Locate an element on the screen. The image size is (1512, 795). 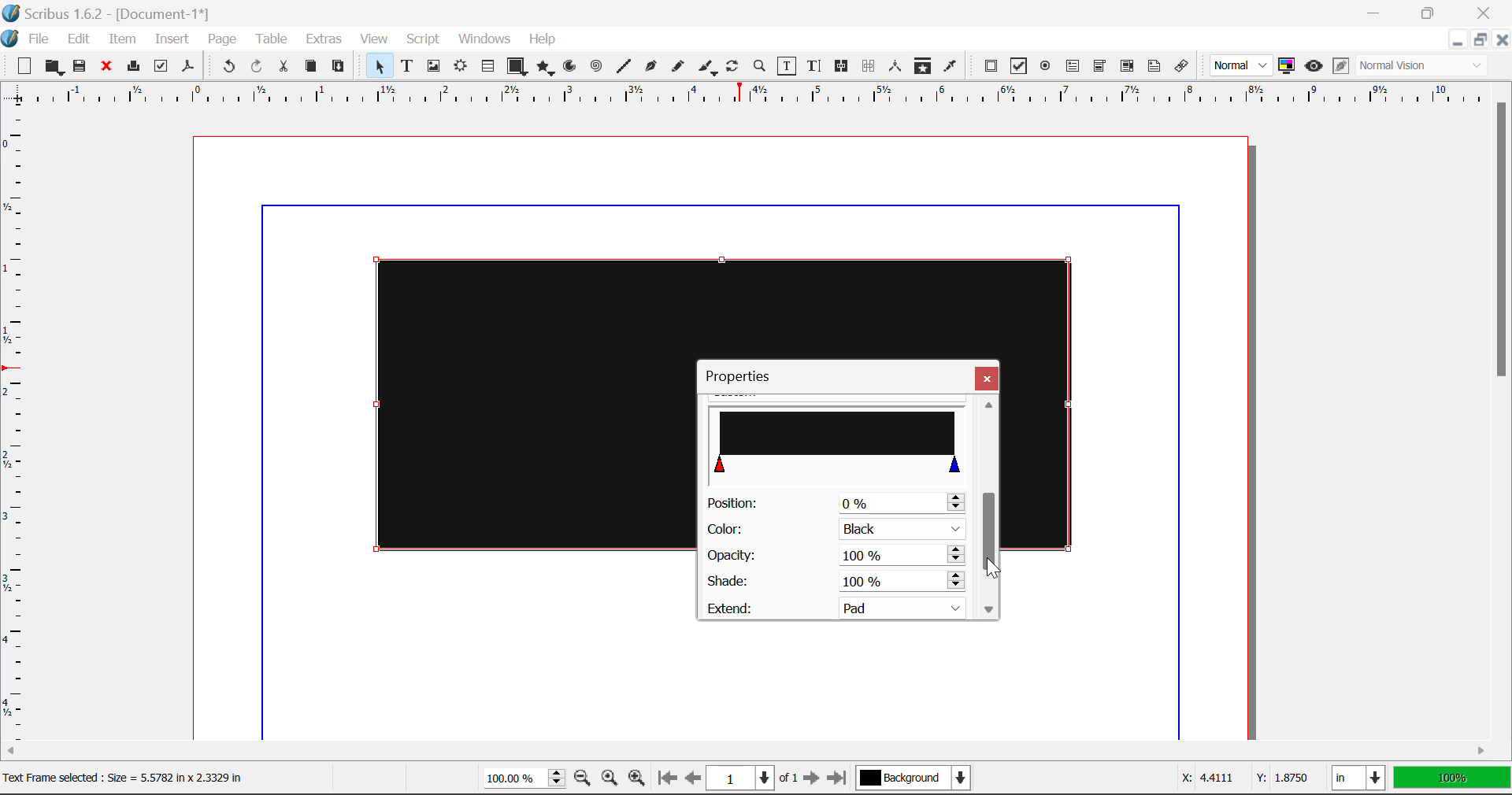
PDF Combo Box is located at coordinates (1099, 68).